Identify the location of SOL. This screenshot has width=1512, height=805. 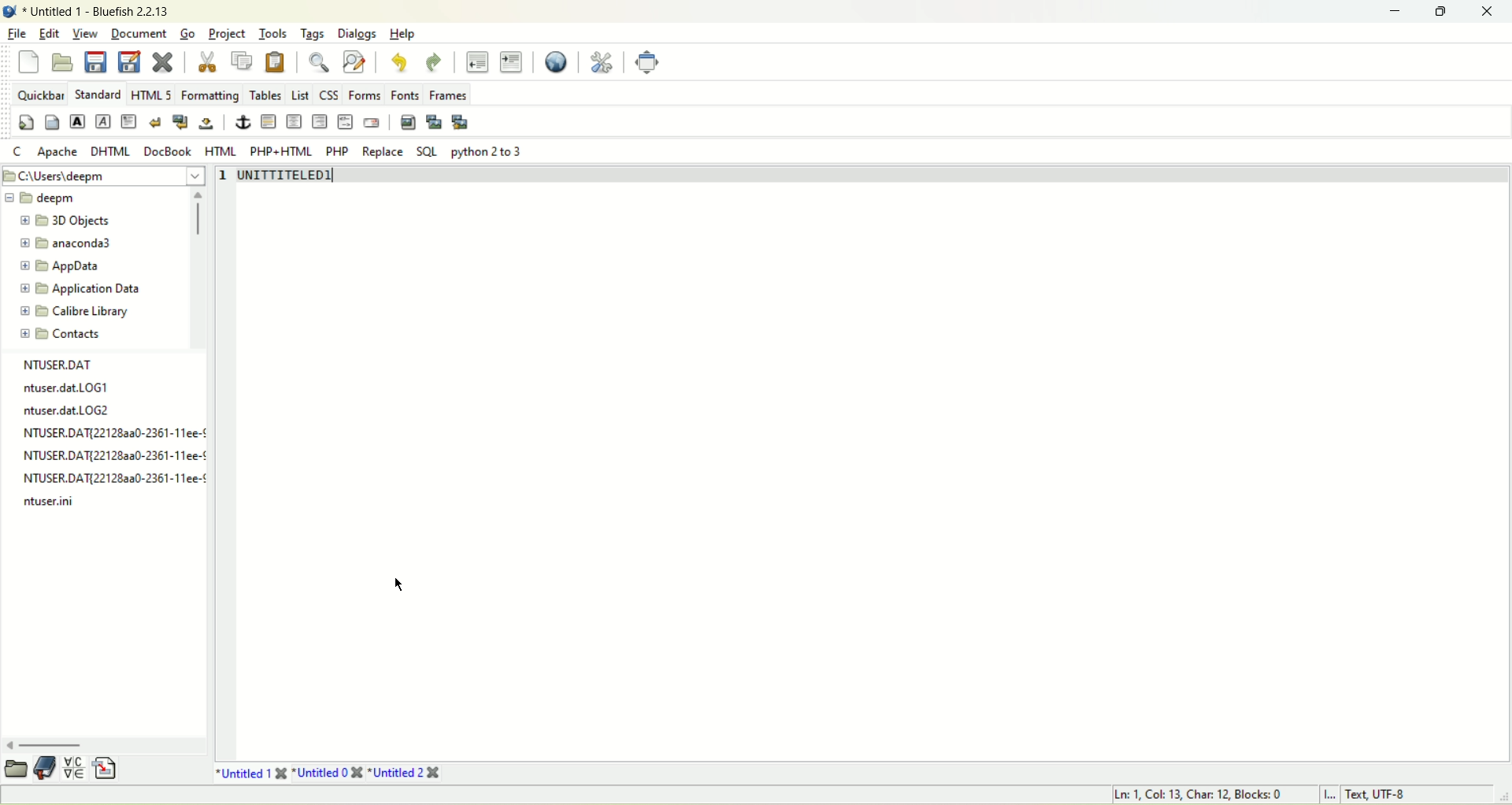
(428, 149).